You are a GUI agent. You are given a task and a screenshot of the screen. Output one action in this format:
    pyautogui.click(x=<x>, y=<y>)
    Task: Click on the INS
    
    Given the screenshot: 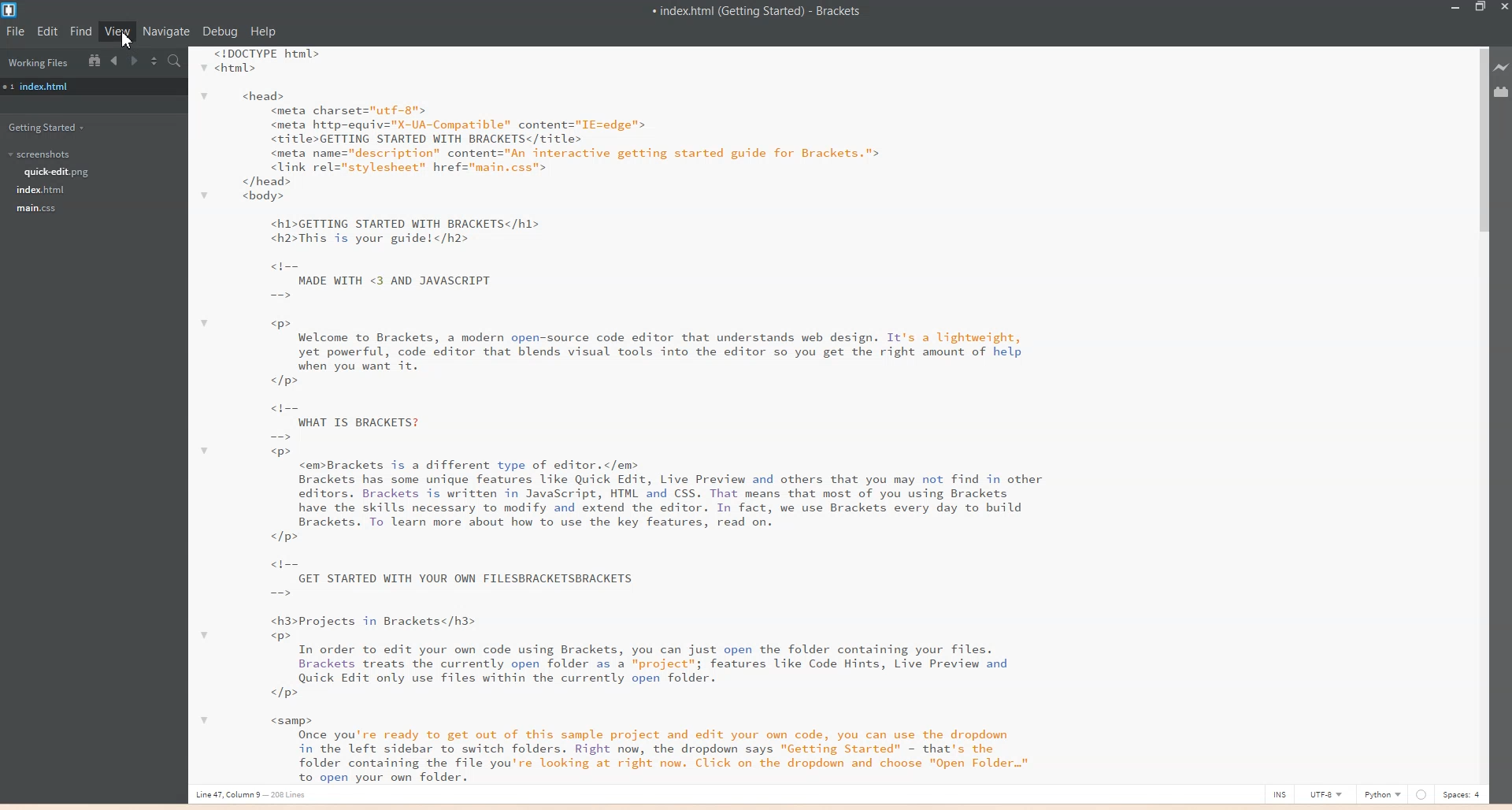 What is the action you would take?
    pyautogui.click(x=1280, y=793)
    